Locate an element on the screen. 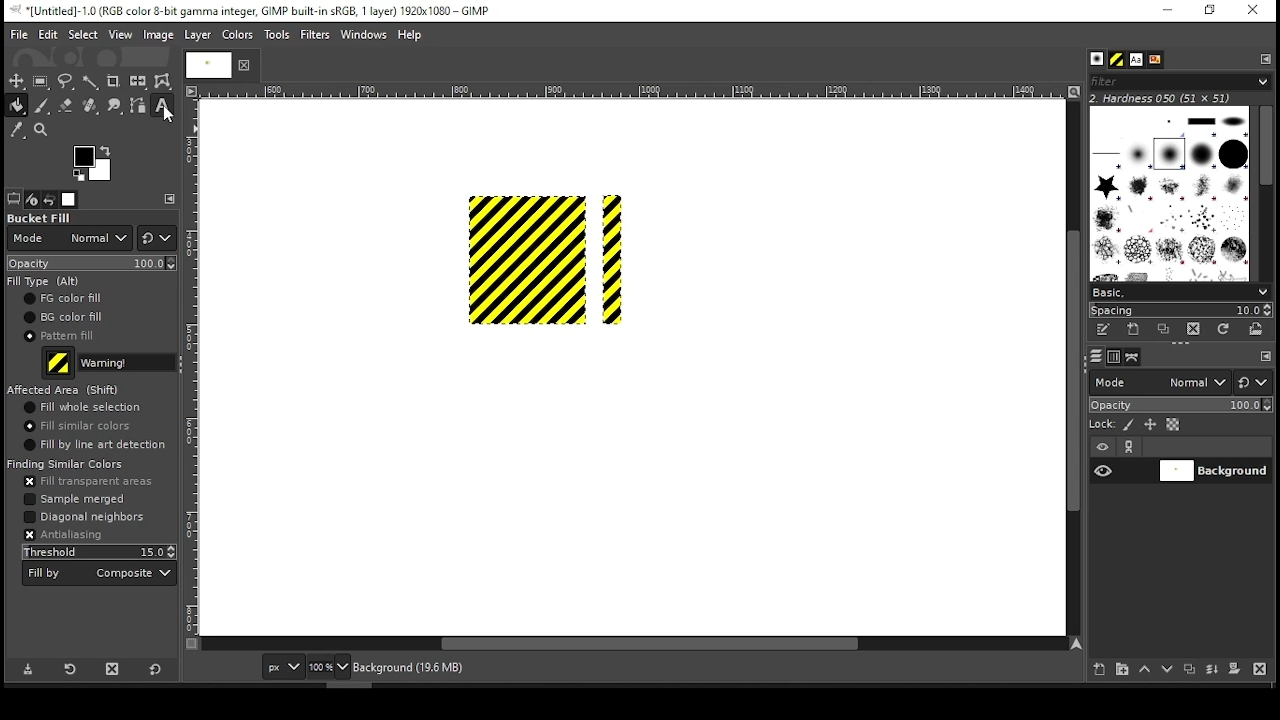 The width and height of the screenshot is (1280, 720). mask  layer is located at coordinates (1234, 670).